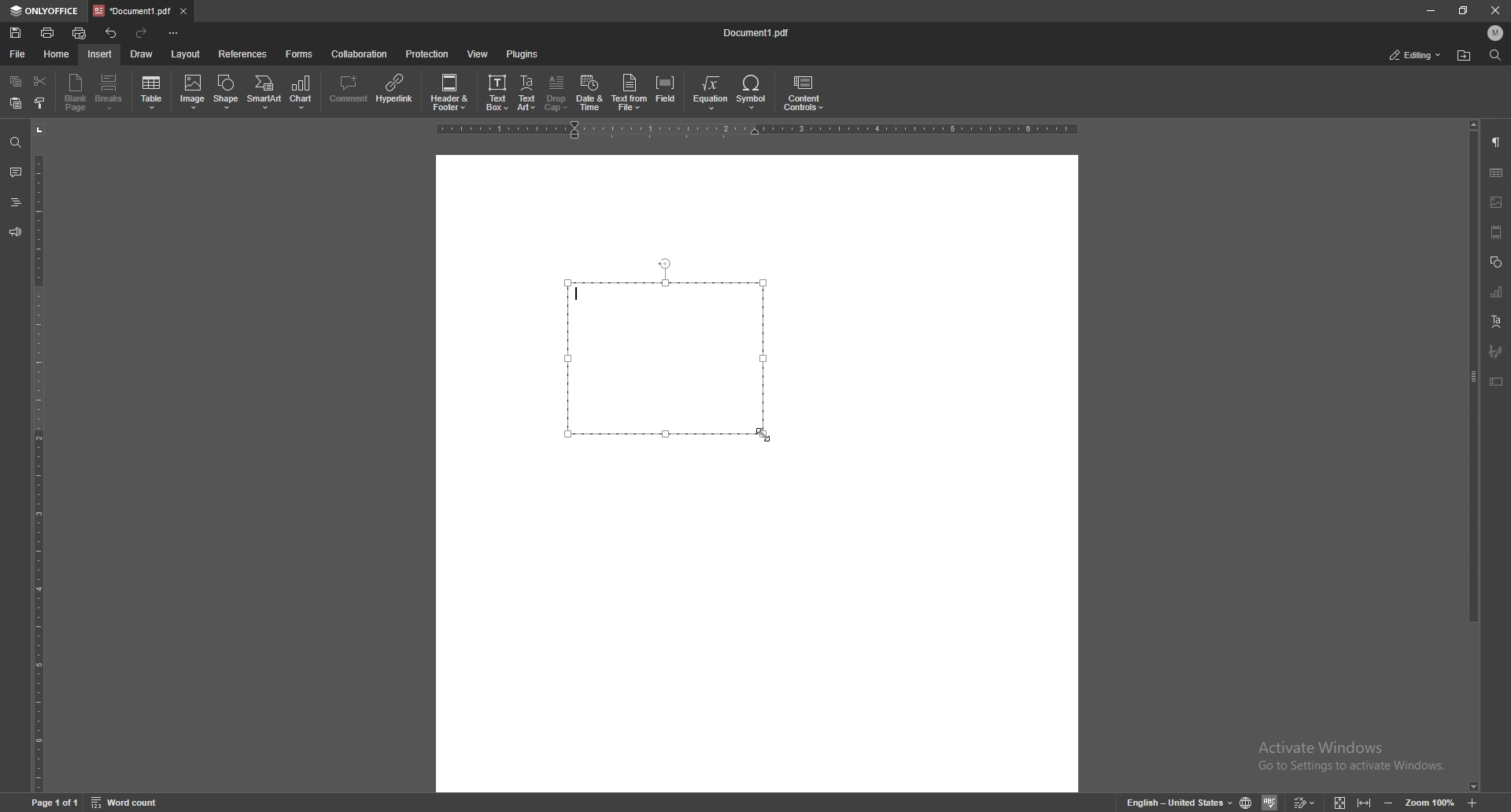 The height and width of the screenshot is (812, 1511). I want to click on copy style, so click(40, 104).